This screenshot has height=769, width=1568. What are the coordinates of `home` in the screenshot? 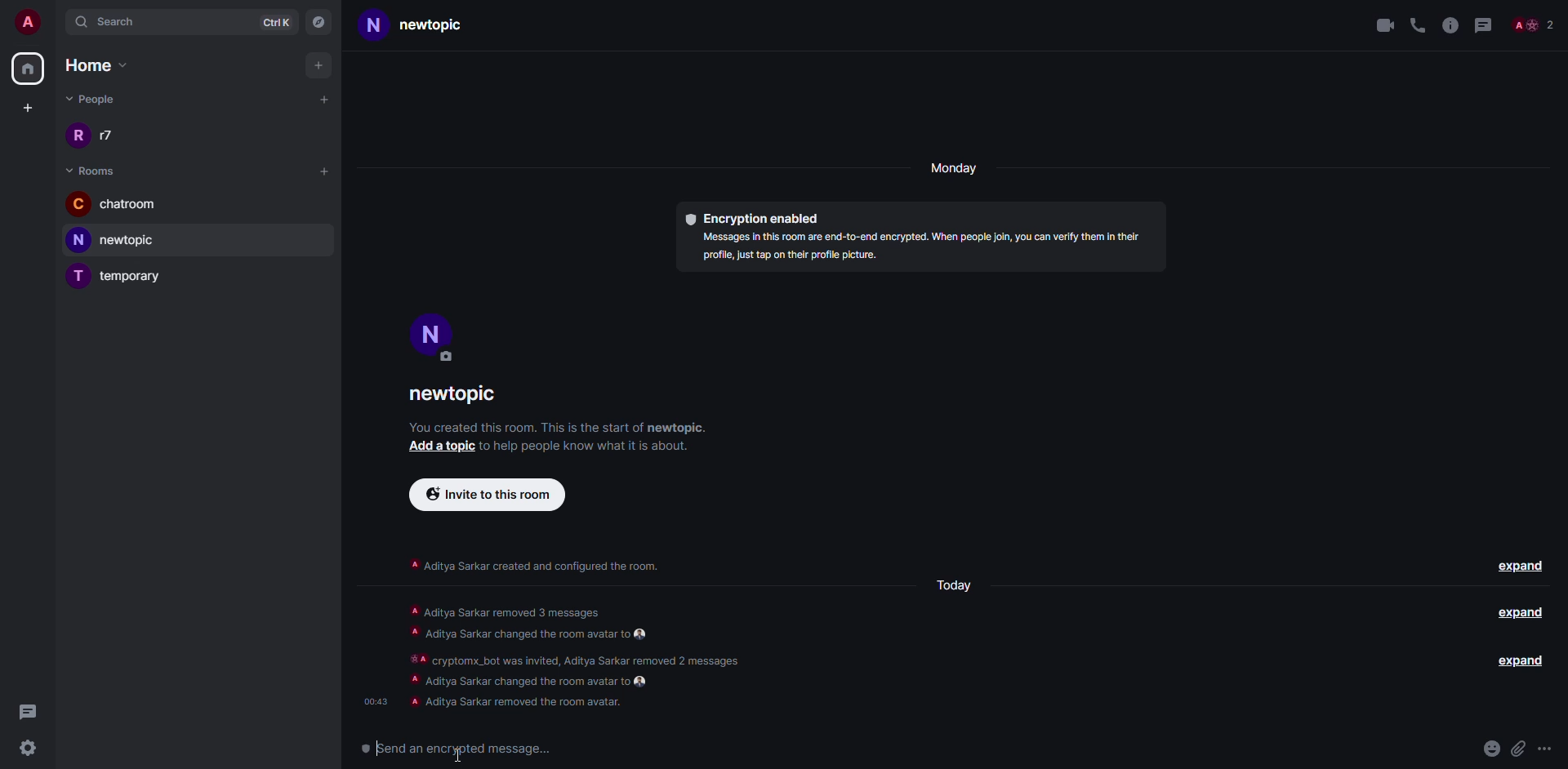 It's located at (27, 69).